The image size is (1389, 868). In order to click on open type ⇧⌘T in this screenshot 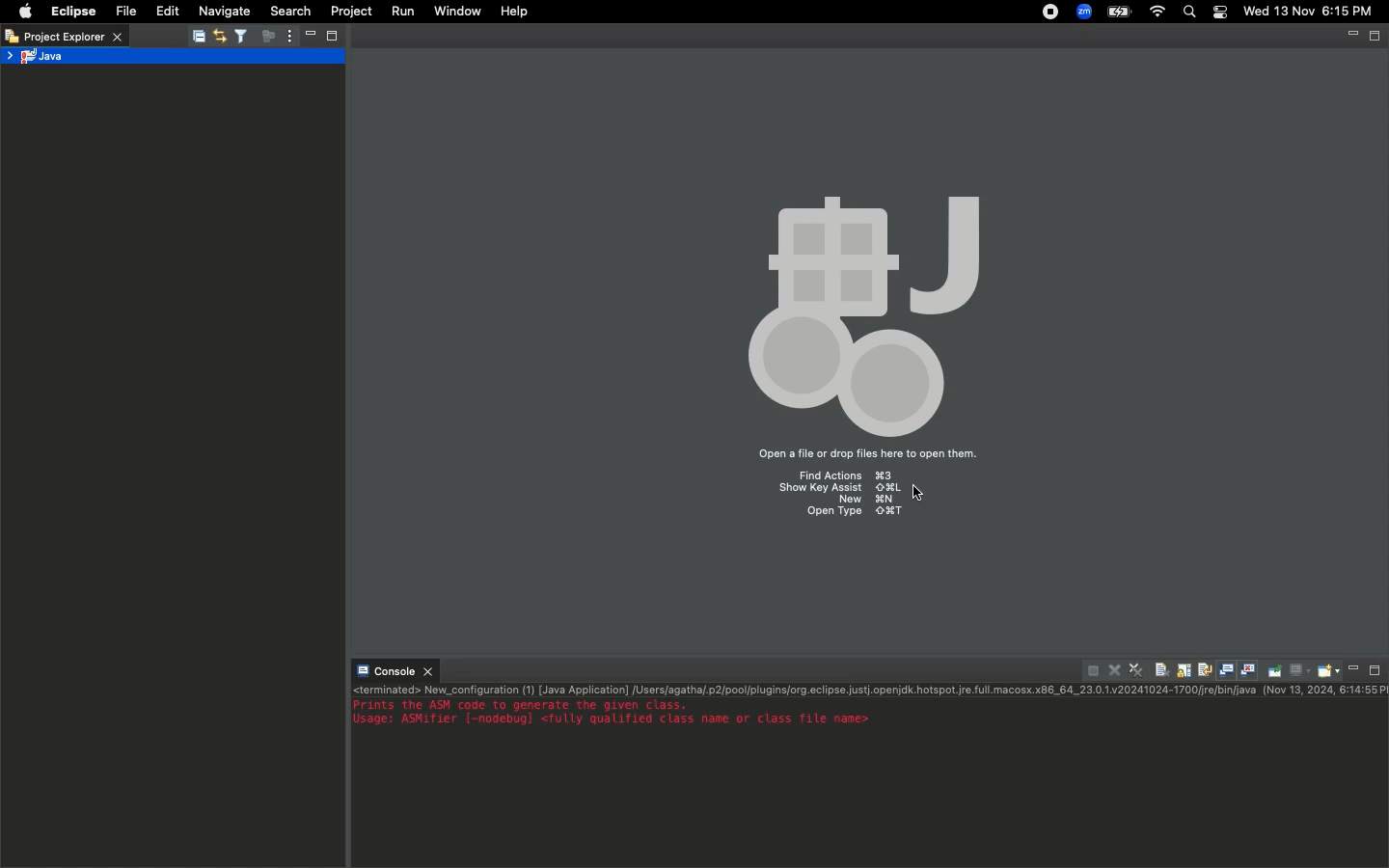, I will do `click(851, 511)`.